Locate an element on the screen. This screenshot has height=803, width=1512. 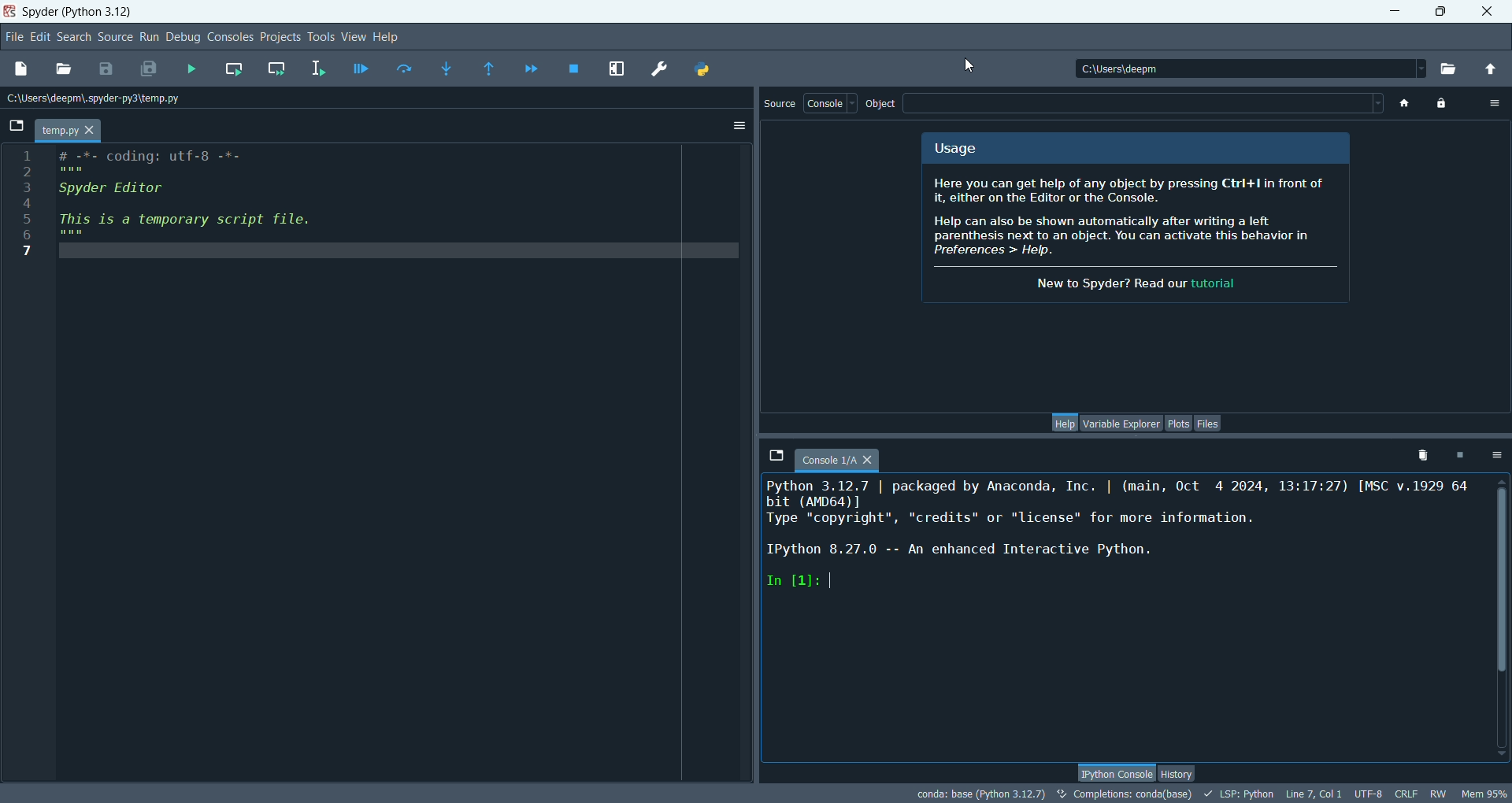
save file is located at coordinates (106, 68).